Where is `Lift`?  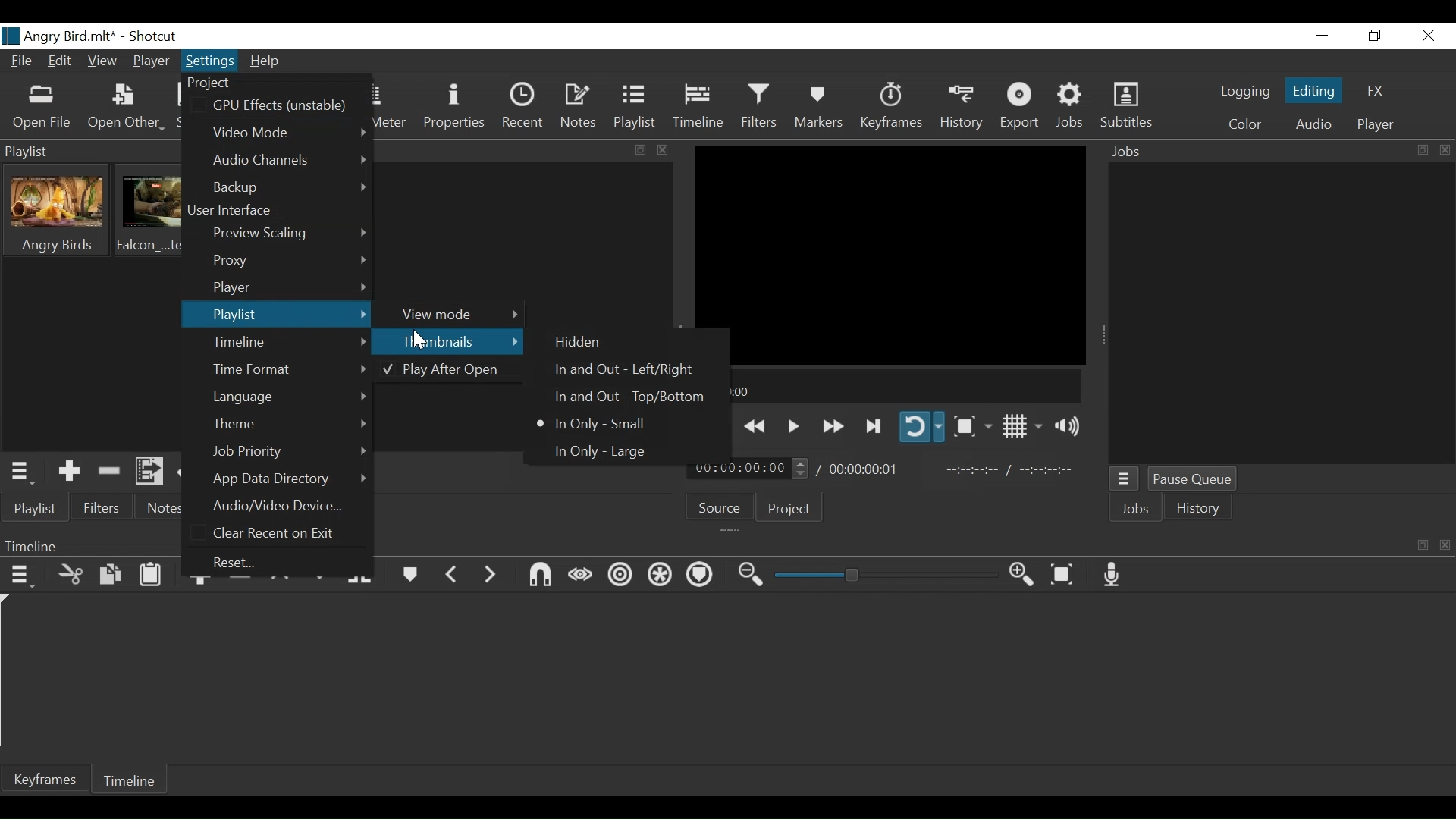
Lift is located at coordinates (283, 583).